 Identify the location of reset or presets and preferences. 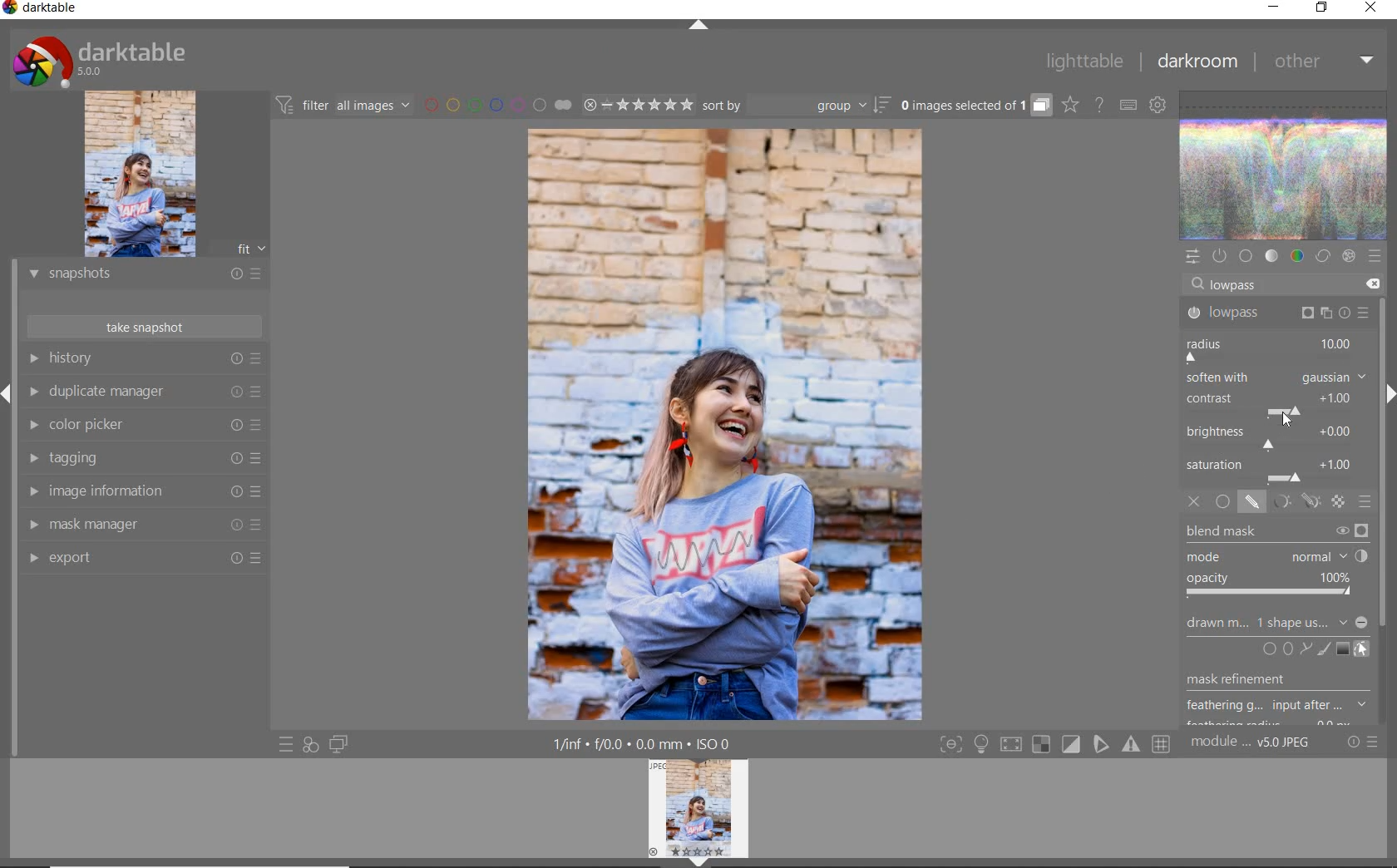
(1364, 742).